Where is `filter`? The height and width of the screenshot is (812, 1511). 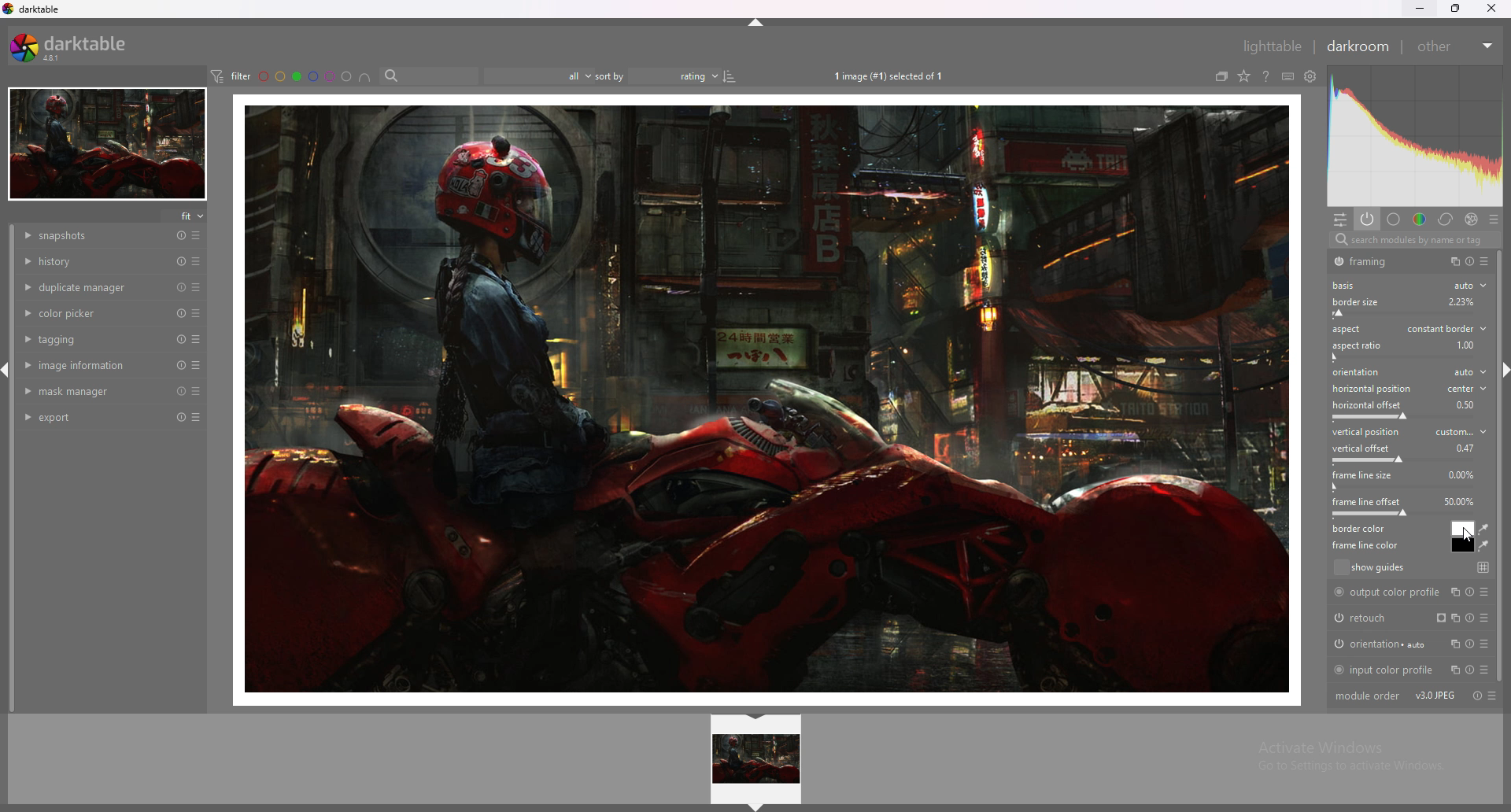 filter is located at coordinates (230, 76).